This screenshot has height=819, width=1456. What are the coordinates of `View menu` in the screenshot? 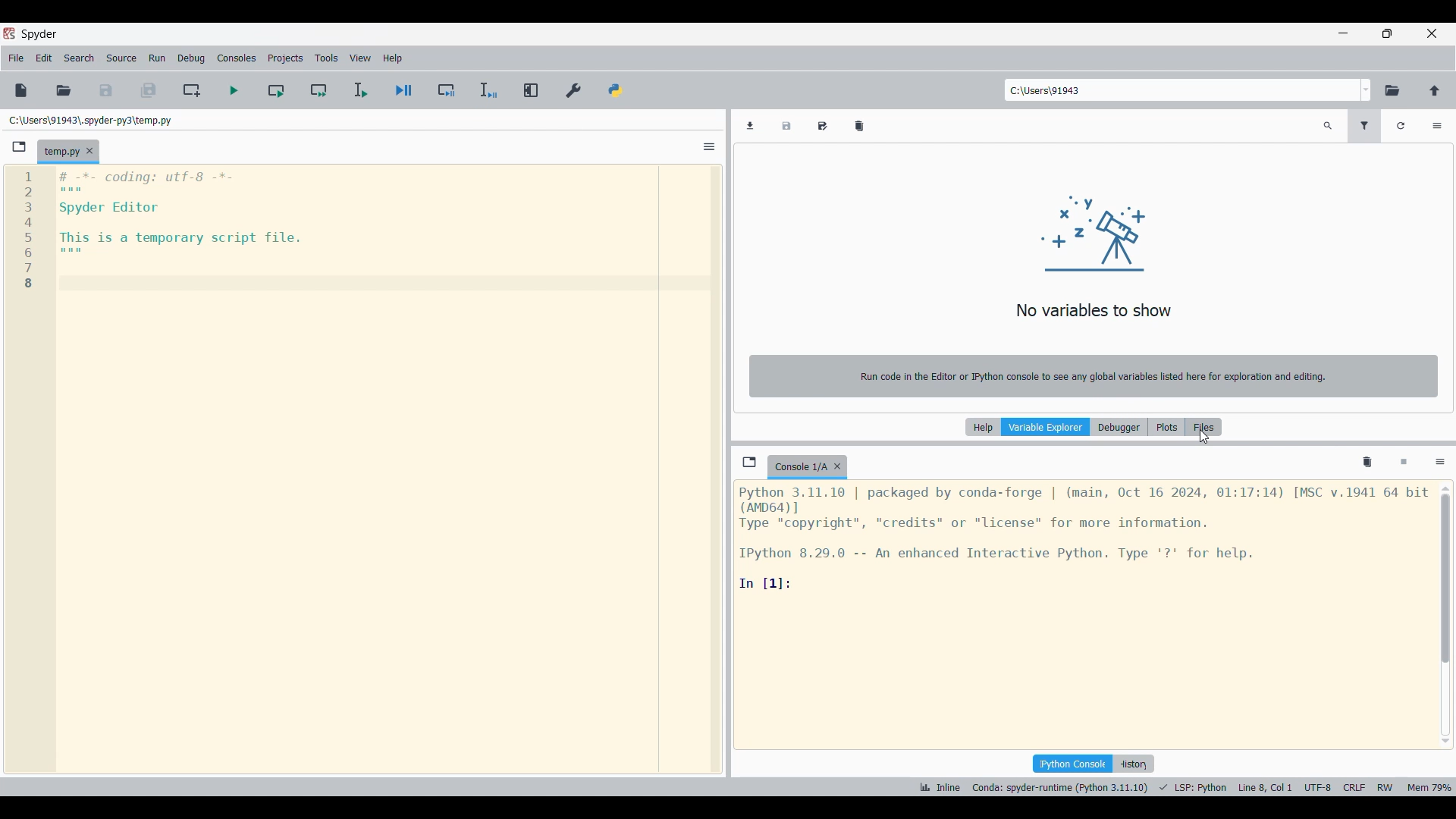 It's located at (360, 58).